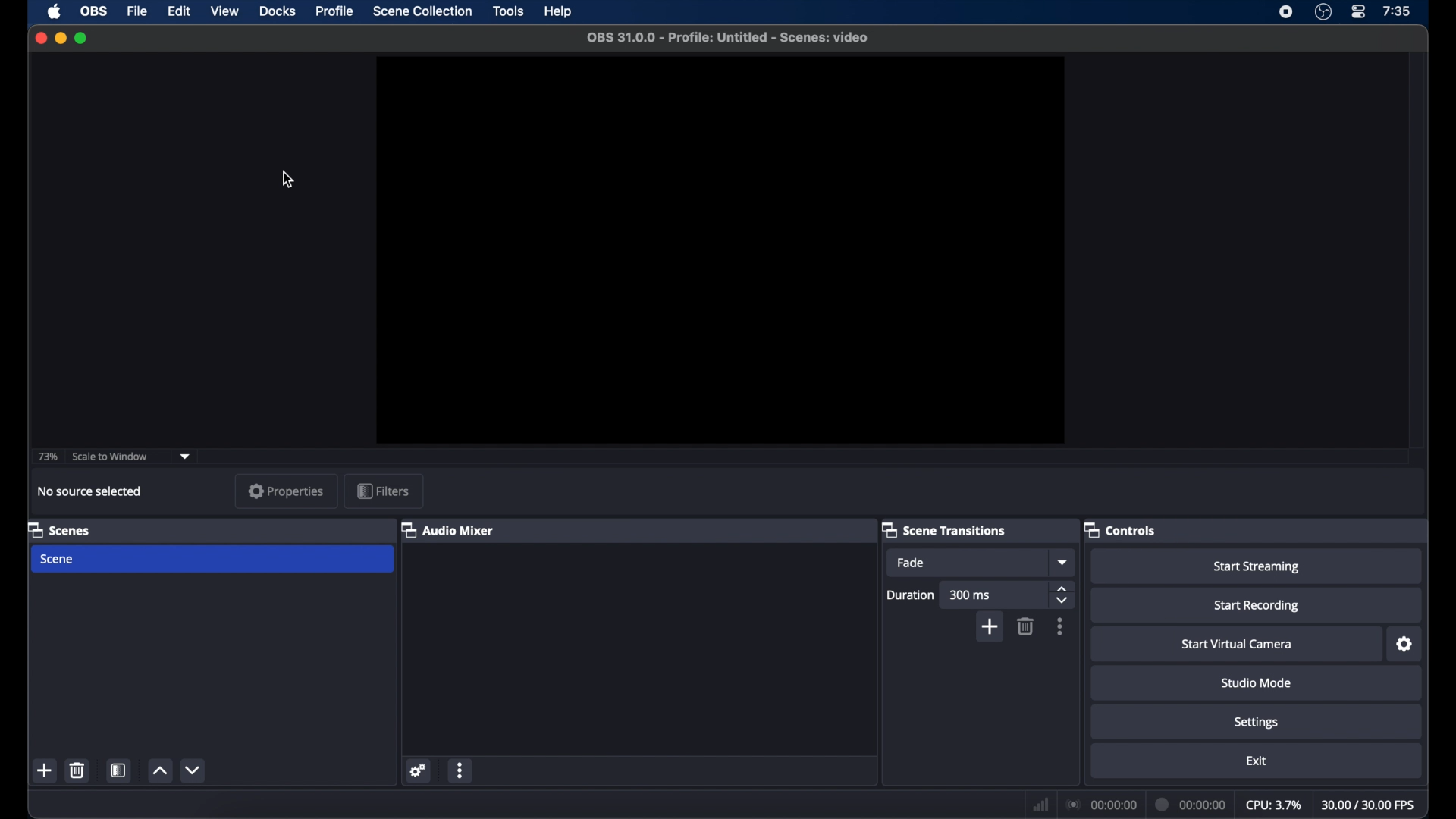 The height and width of the screenshot is (819, 1456). I want to click on dropdown, so click(186, 457).